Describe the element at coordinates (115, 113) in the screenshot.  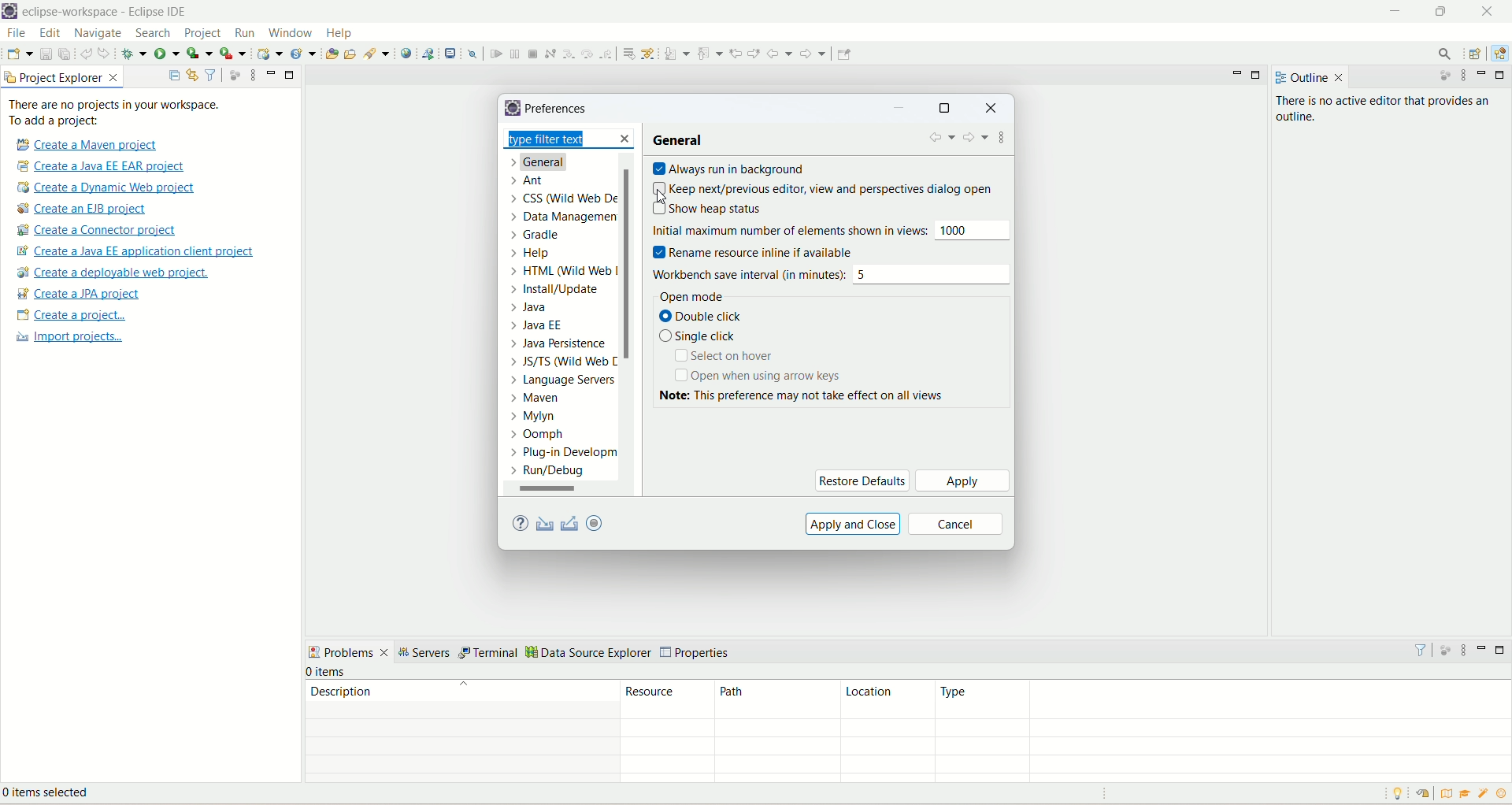
I see `There are no projects in your workspace. To add a project:` at that location.